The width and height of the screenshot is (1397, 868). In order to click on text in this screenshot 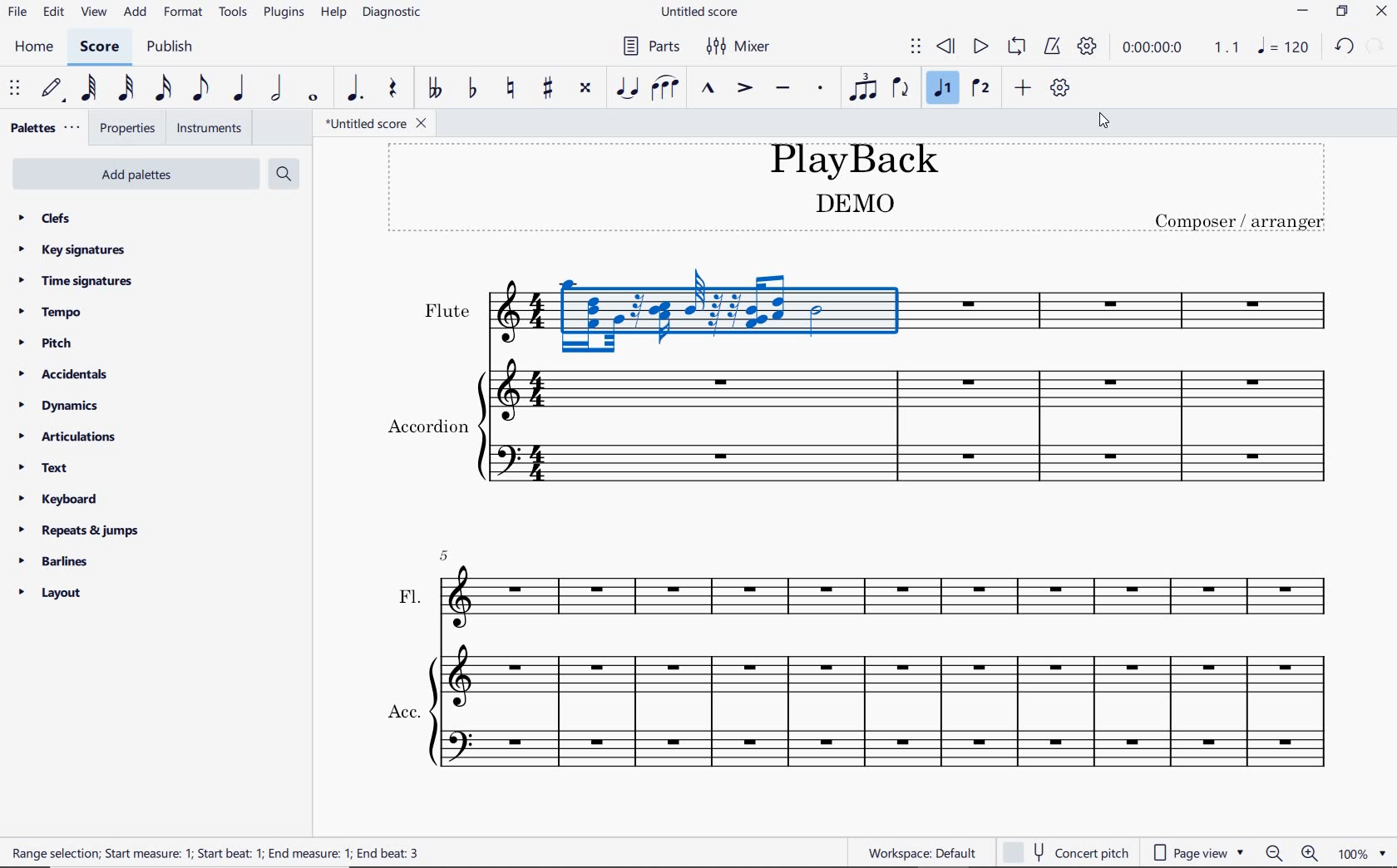, I will do `click(47, 467)`.